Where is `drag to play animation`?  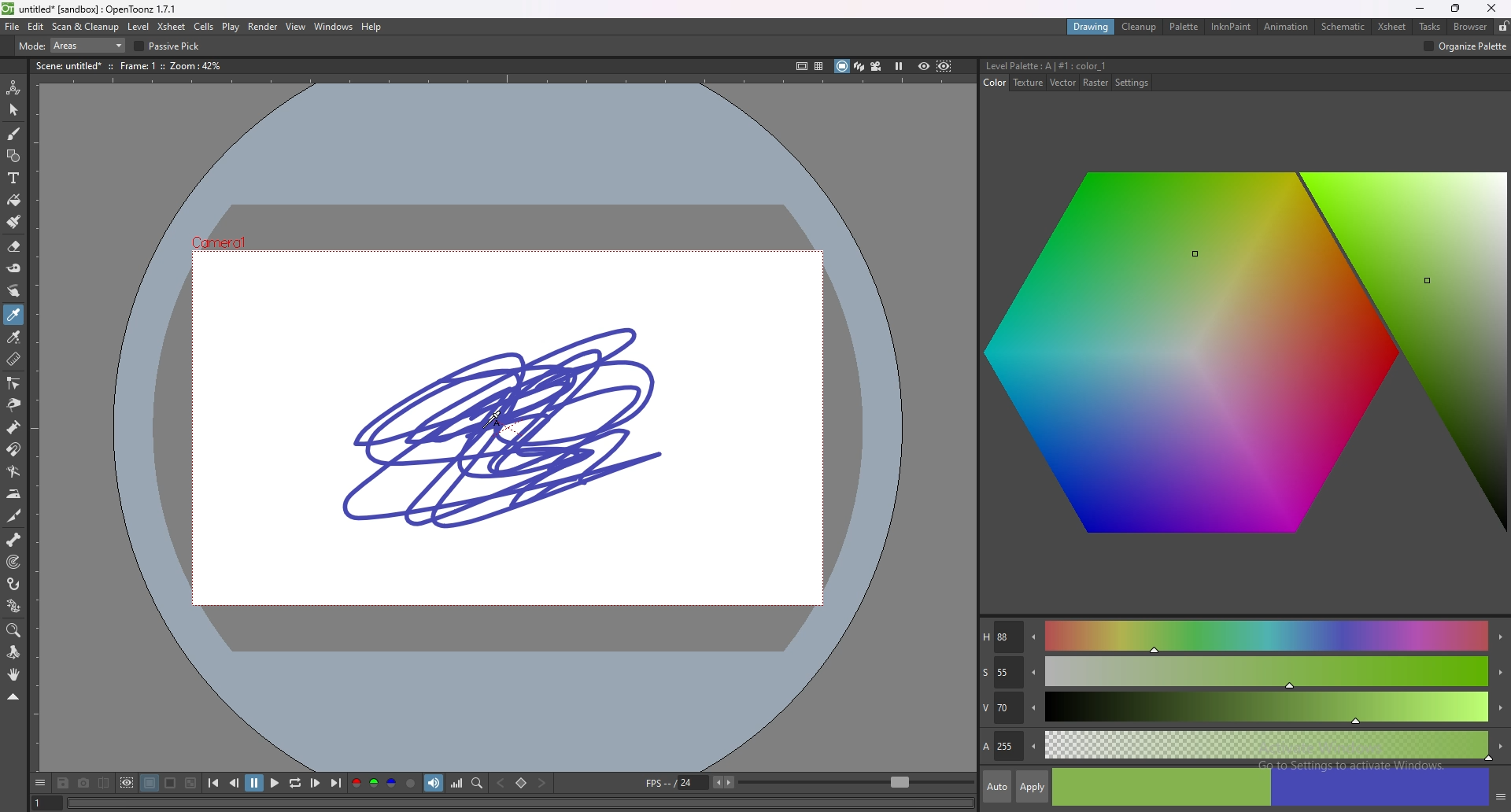
drag to play animation is located at coordinates (519, 802).